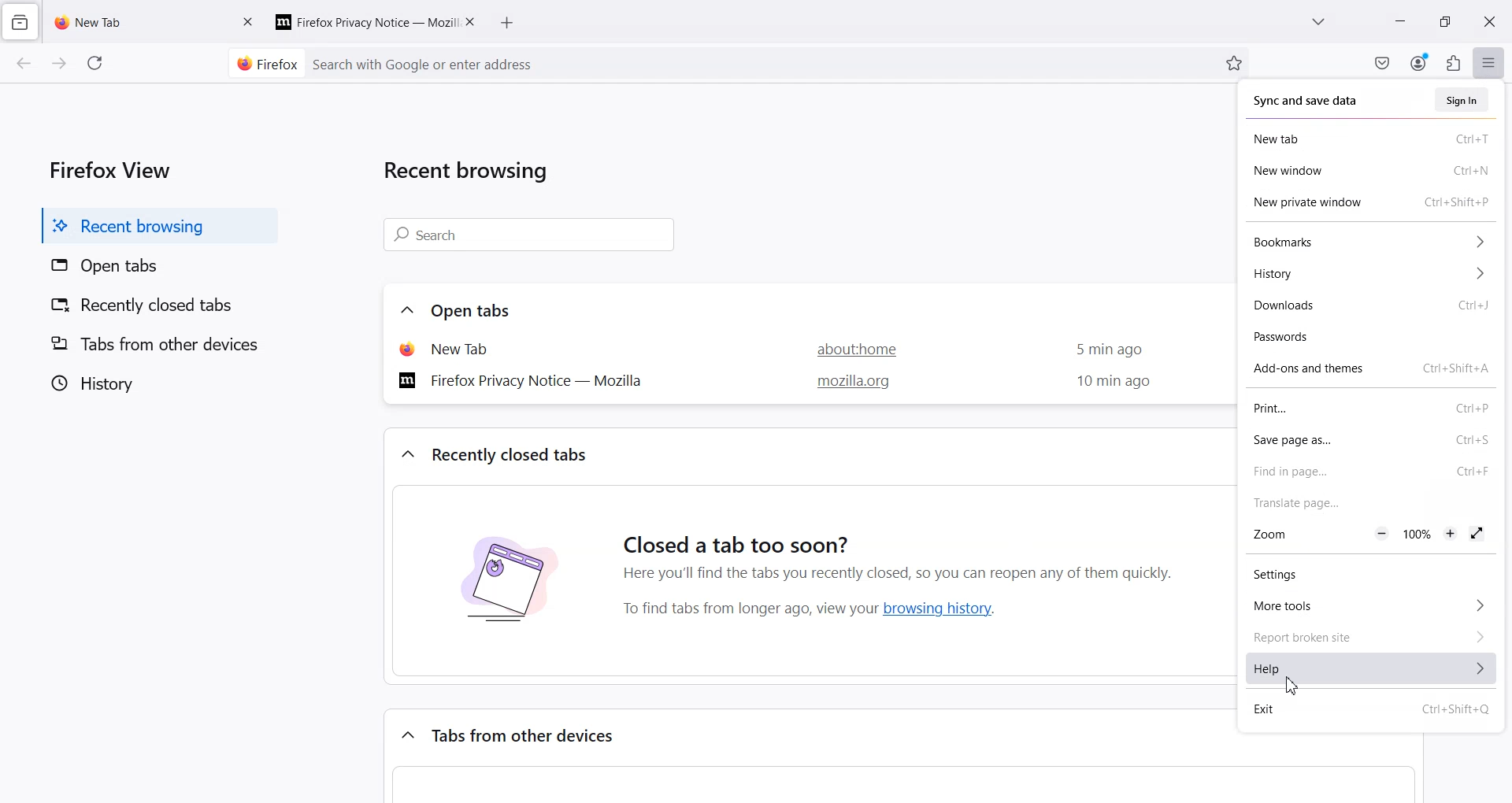 This screenshot has width=1512, height=803. What do you see at coordinates (24, 65) in the screenshot?
I see `Back` at bounding box center [24, 65].